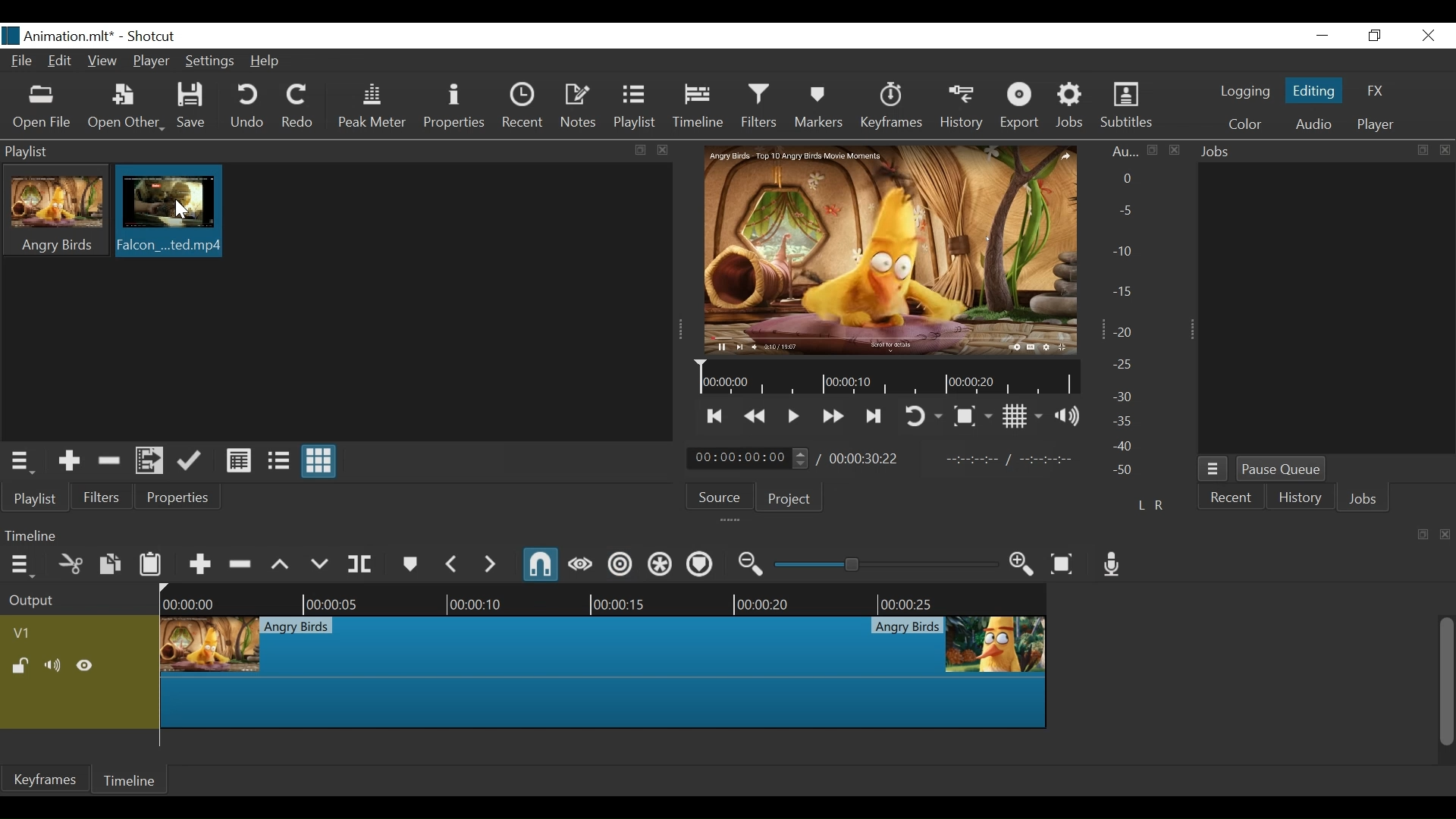 The width and height of the screenshot is (1456, 819). I want to click on Toggle player looping, so click(922, 418).